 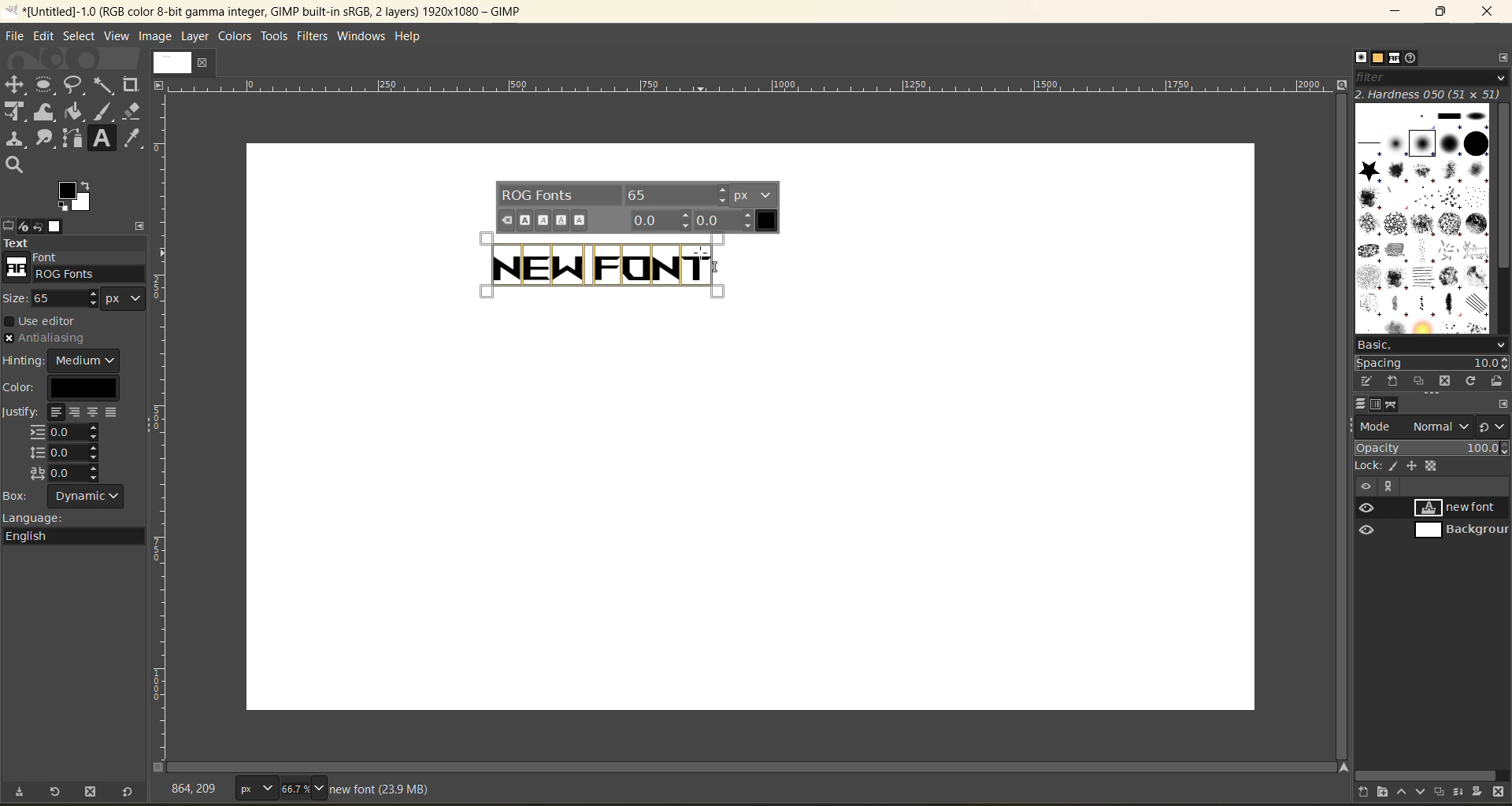 What do you see at coordinates (132, 790) in the screenshot?
I see `reset` at bounding box center [132, 790].